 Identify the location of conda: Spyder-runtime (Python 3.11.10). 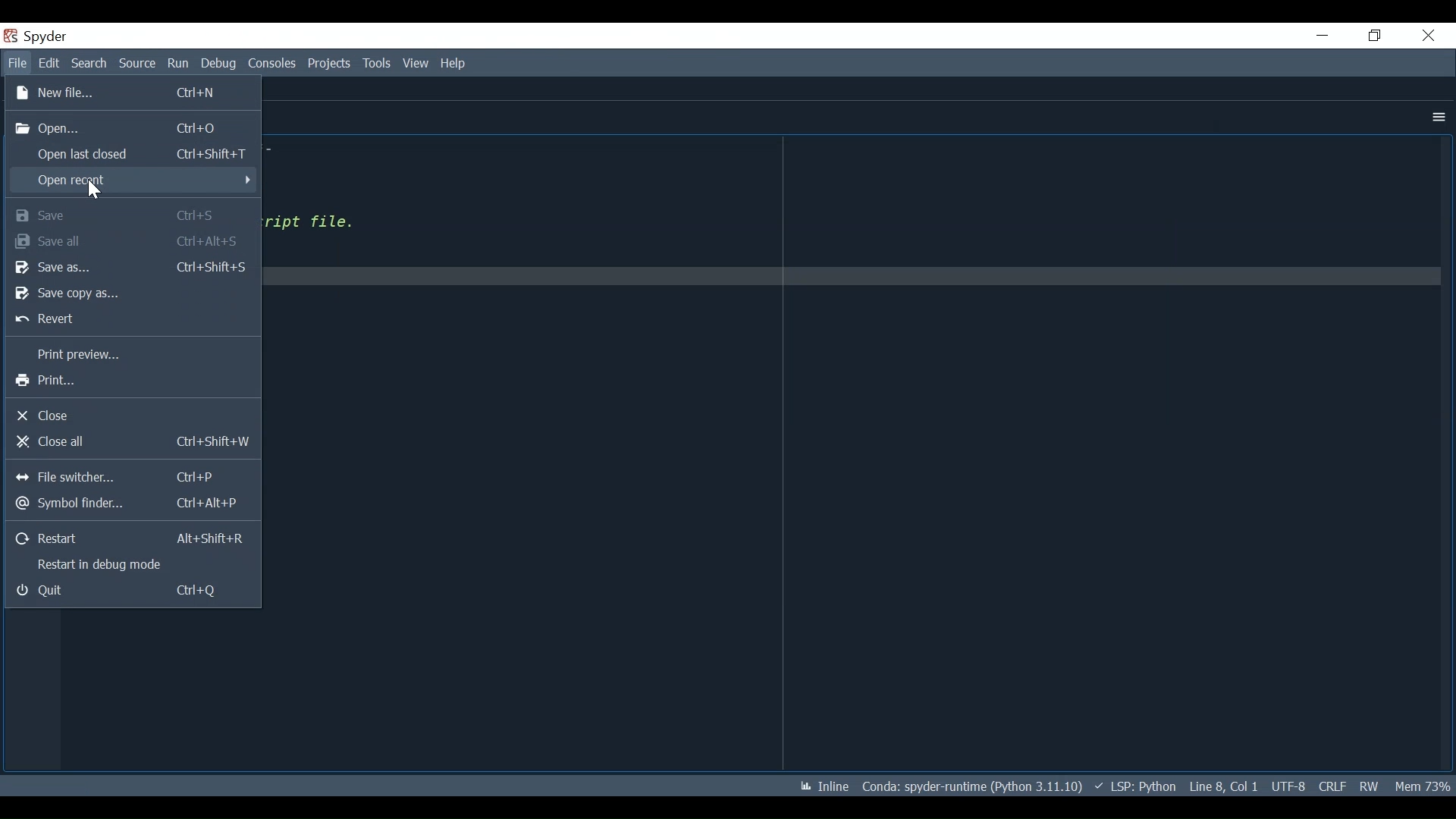
(972, 786).